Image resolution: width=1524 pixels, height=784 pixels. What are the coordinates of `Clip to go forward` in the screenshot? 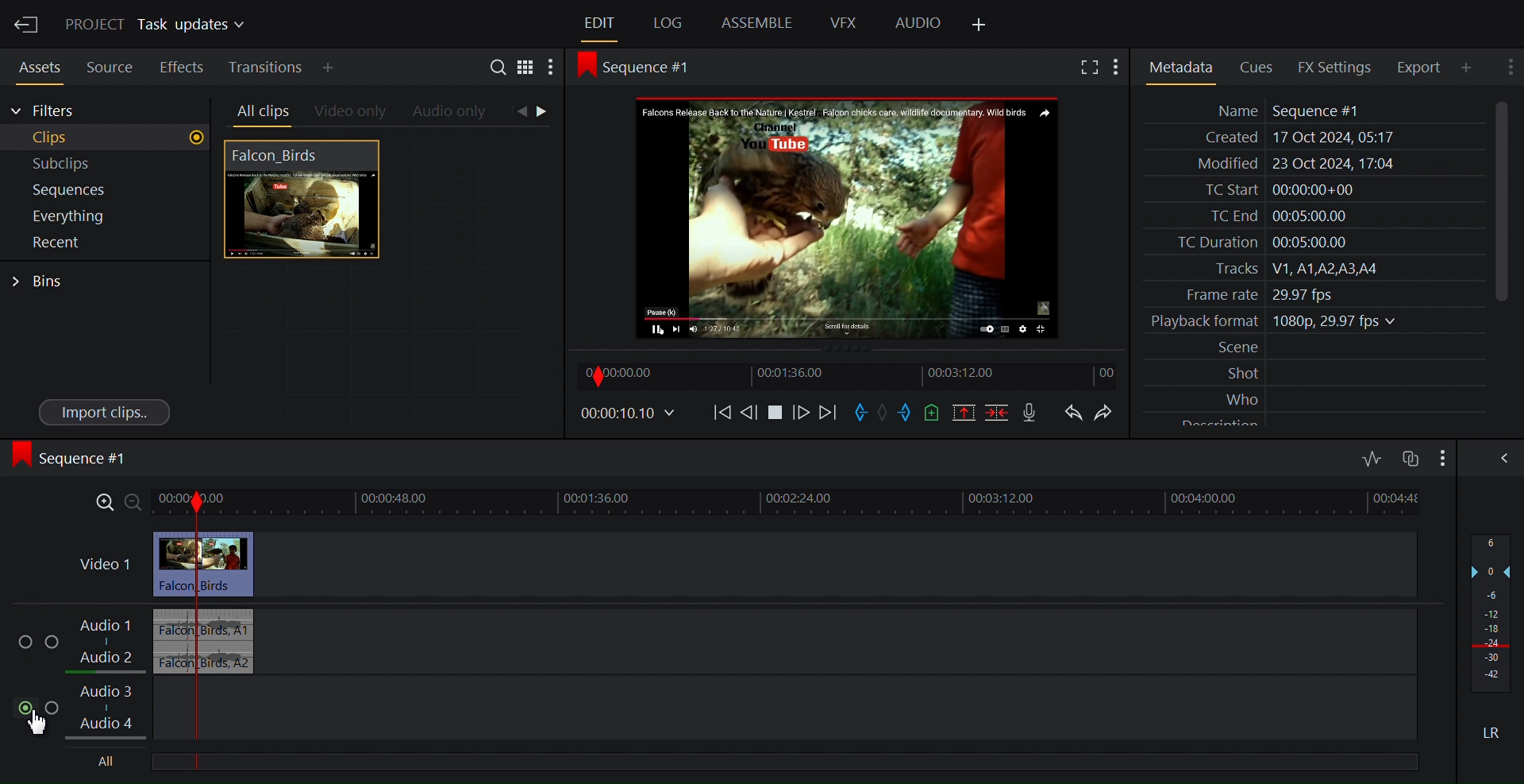 It's located at (546, 111).